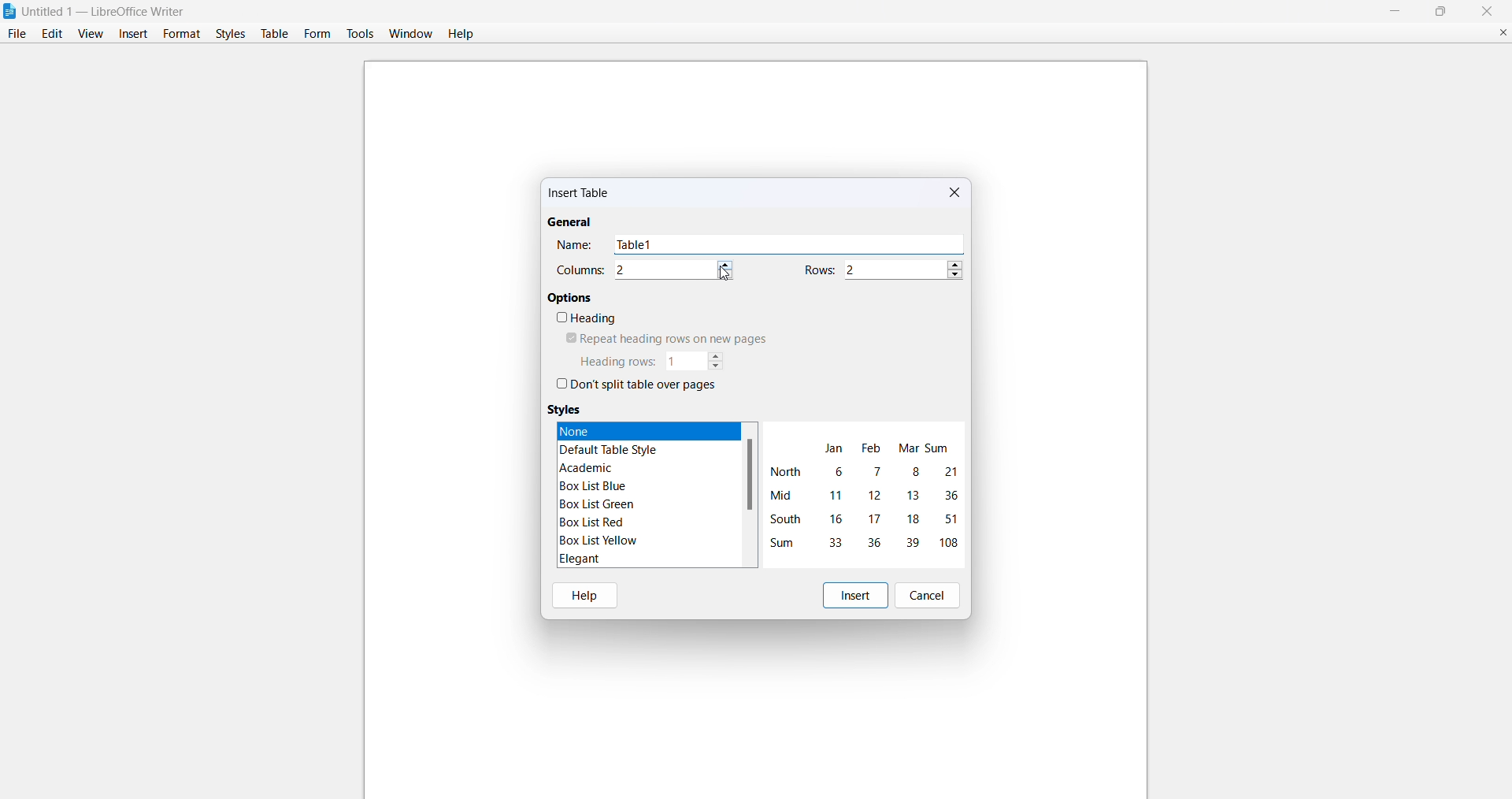 This screenshot has width=1512, height=799. What do you see at coordinates (820, 269) in the screenshot?
I see `rows` at bounding box center [820, 269].